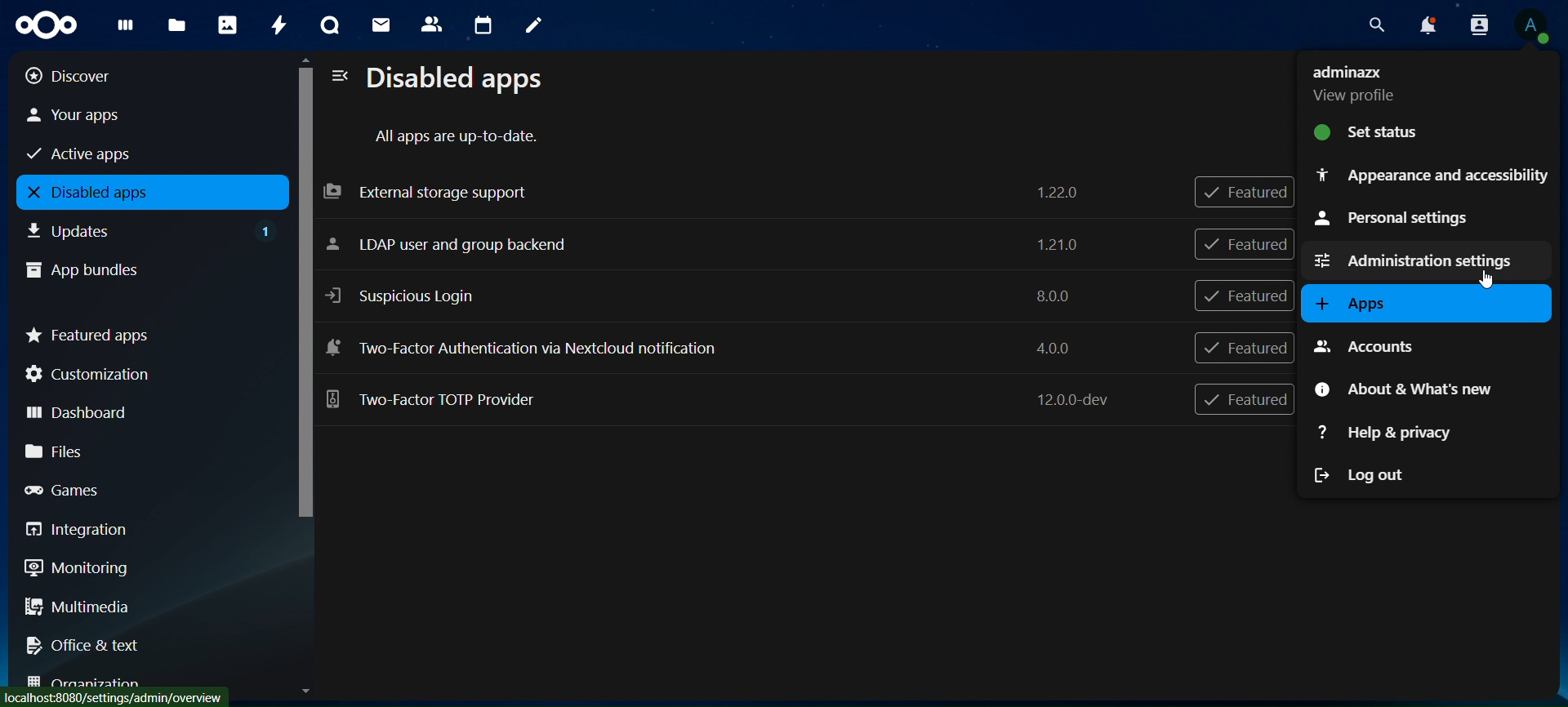  I want to click on mail, so click(381, 23).